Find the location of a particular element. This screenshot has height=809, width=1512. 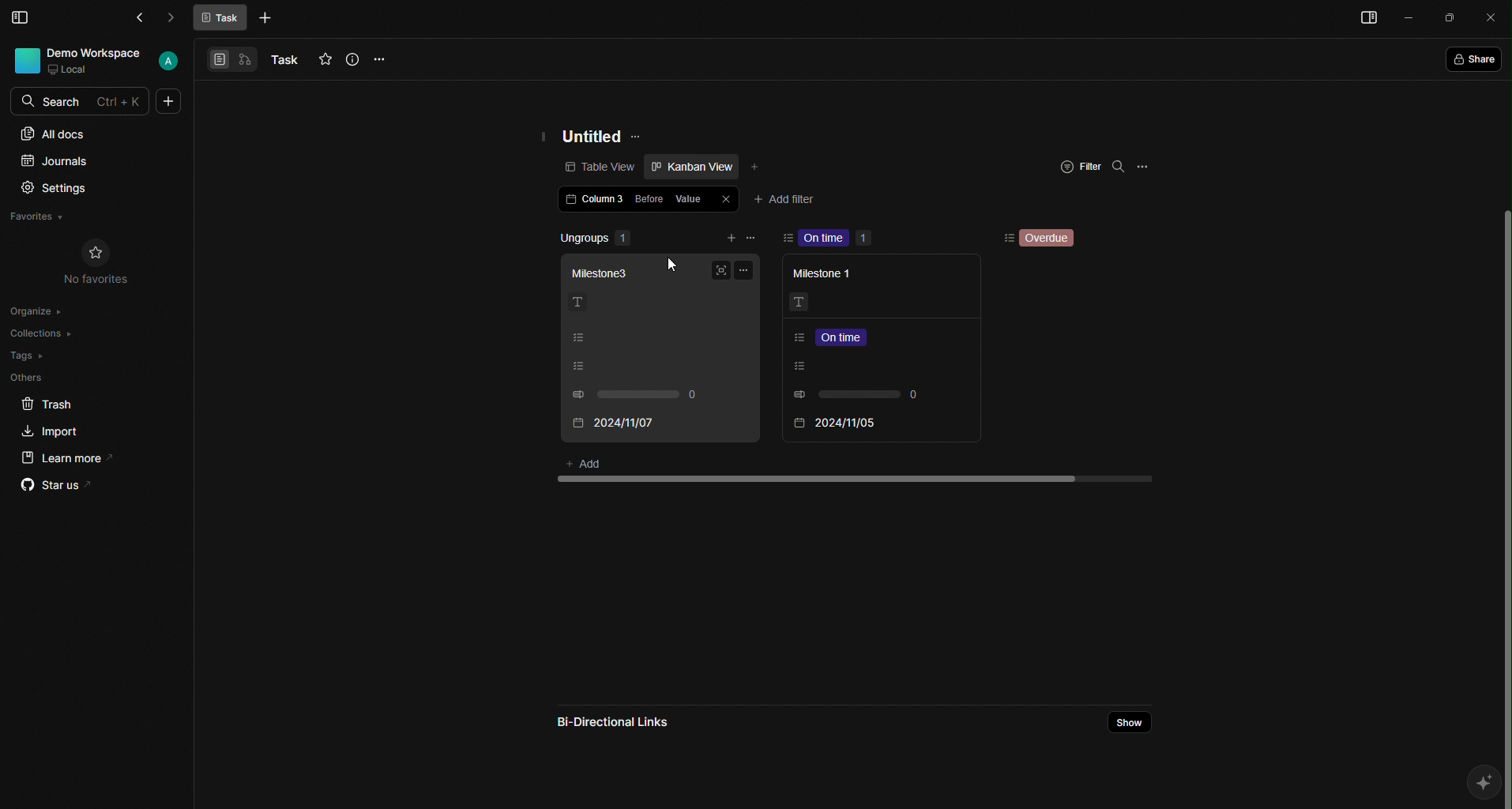

More is located at coordinates (168, 101).